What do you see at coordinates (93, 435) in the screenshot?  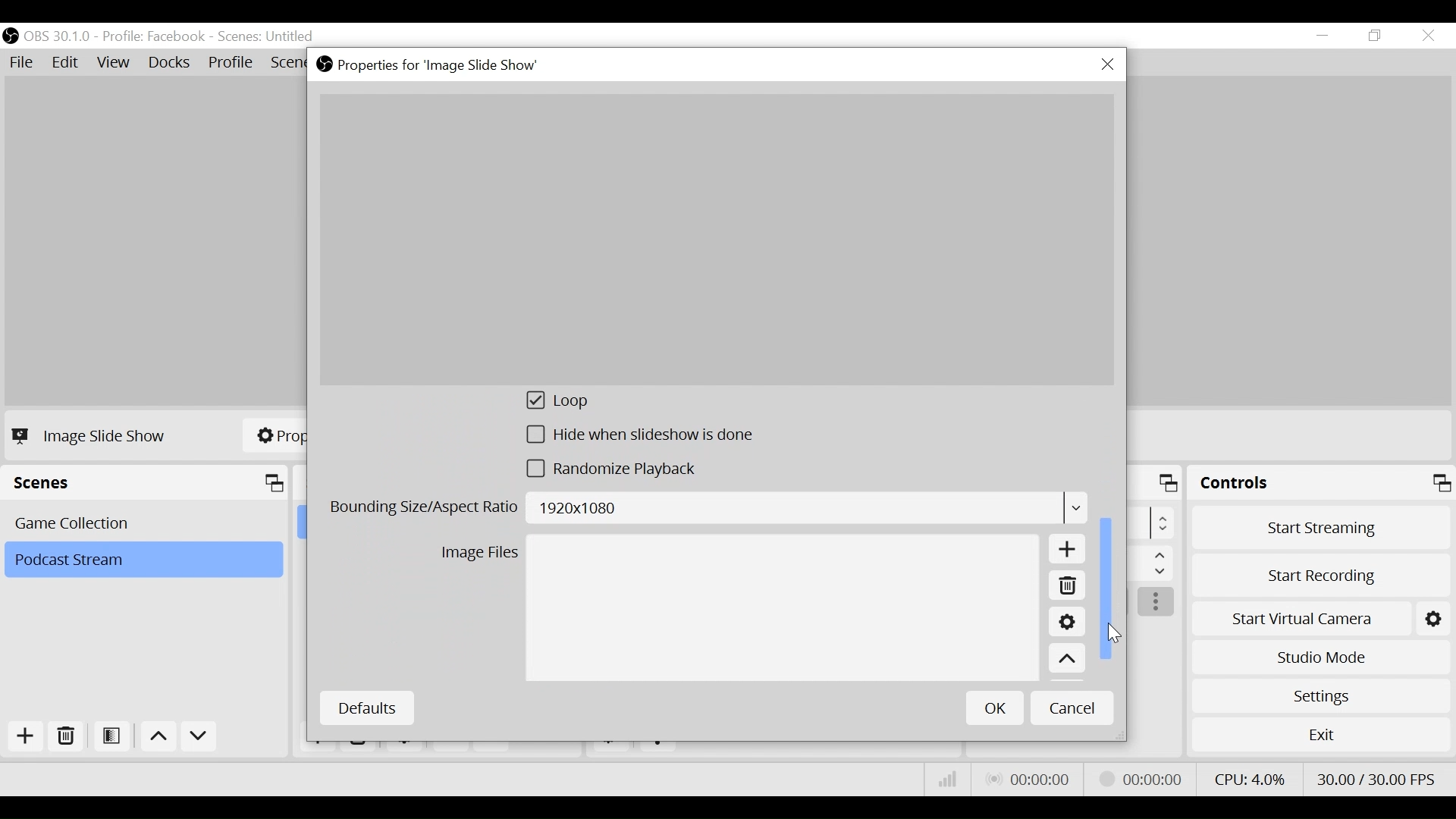 I see `Image Slide Show` at bounding box center [93, 435].